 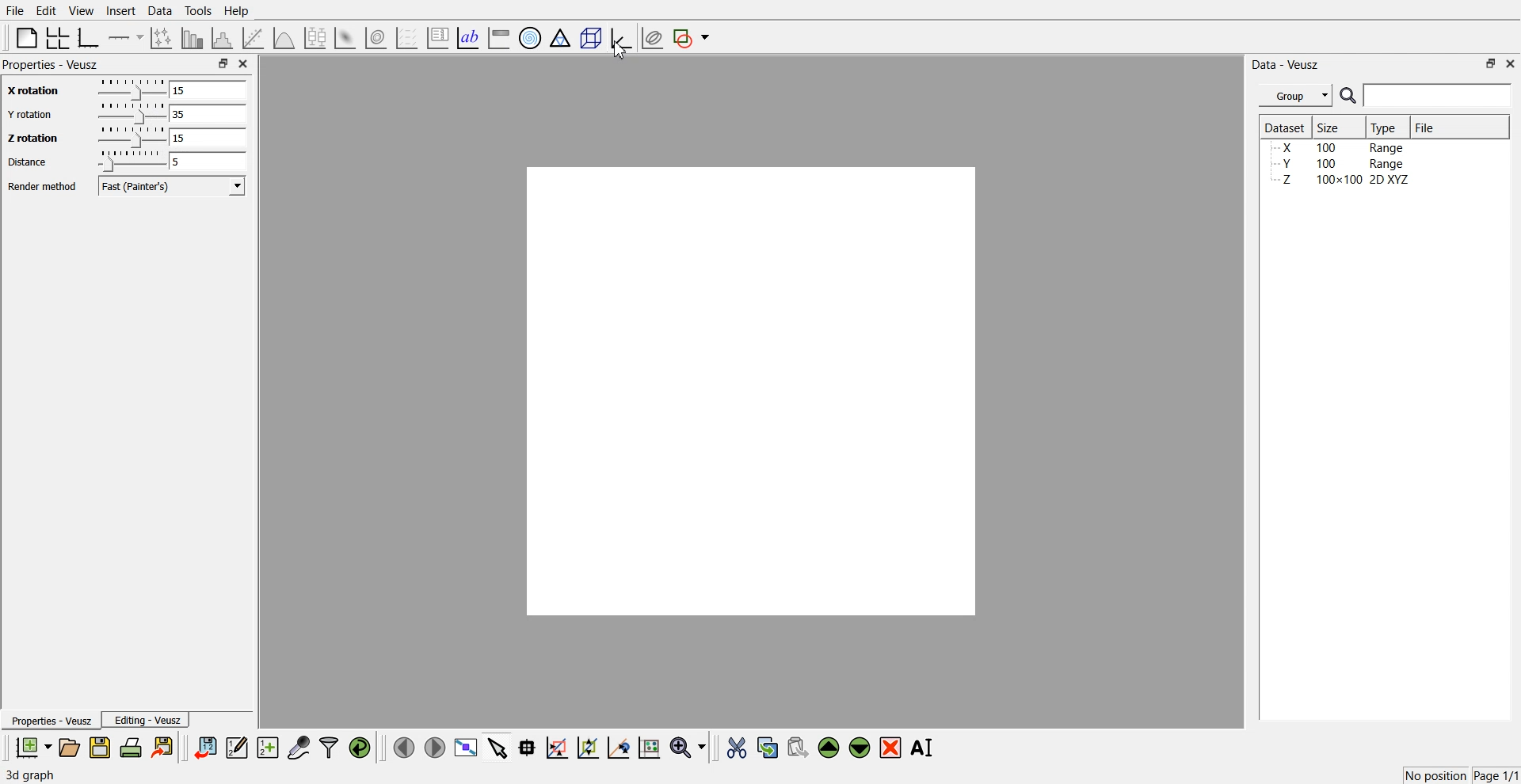 I want to click on Move to the previous page, so click(x=404, y=747).